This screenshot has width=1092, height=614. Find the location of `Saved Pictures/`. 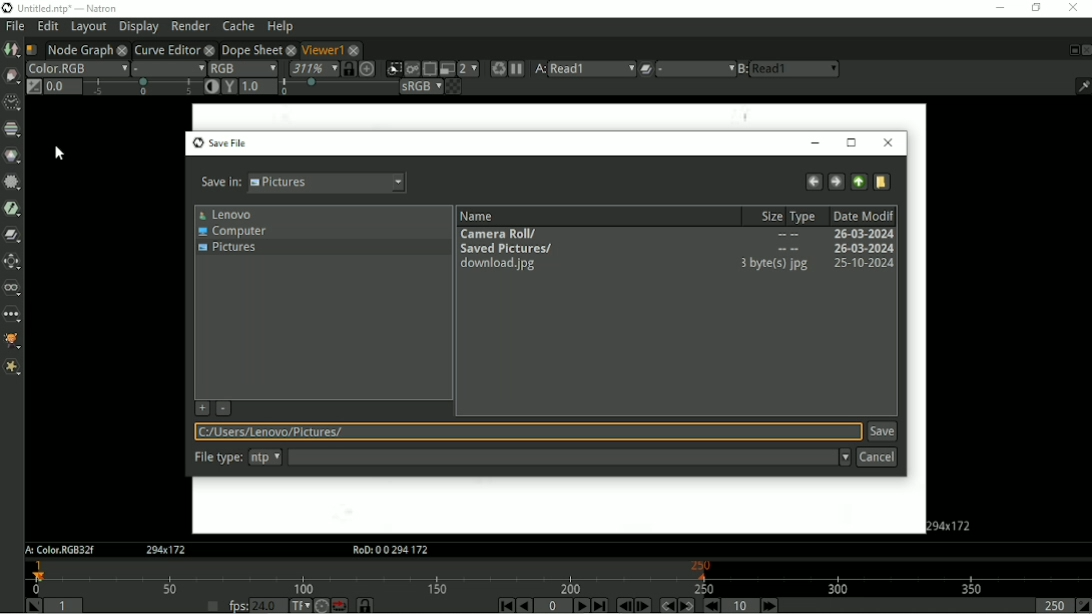

Saved Pictures/ is located at coordinates (677, 250).